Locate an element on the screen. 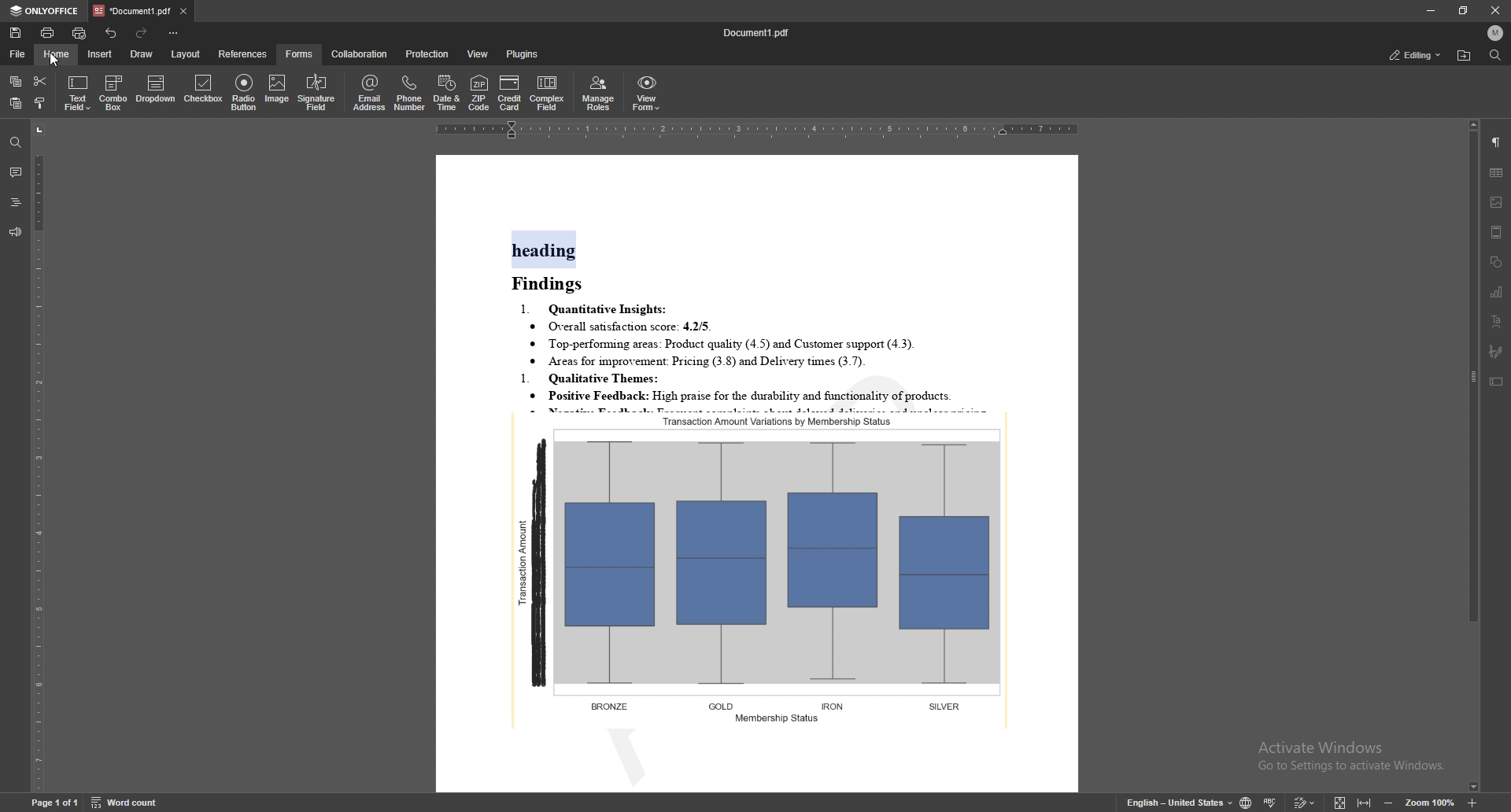 The height and width of the screenshot is (812, 1511). text box is located at coordinates (1496, 382).